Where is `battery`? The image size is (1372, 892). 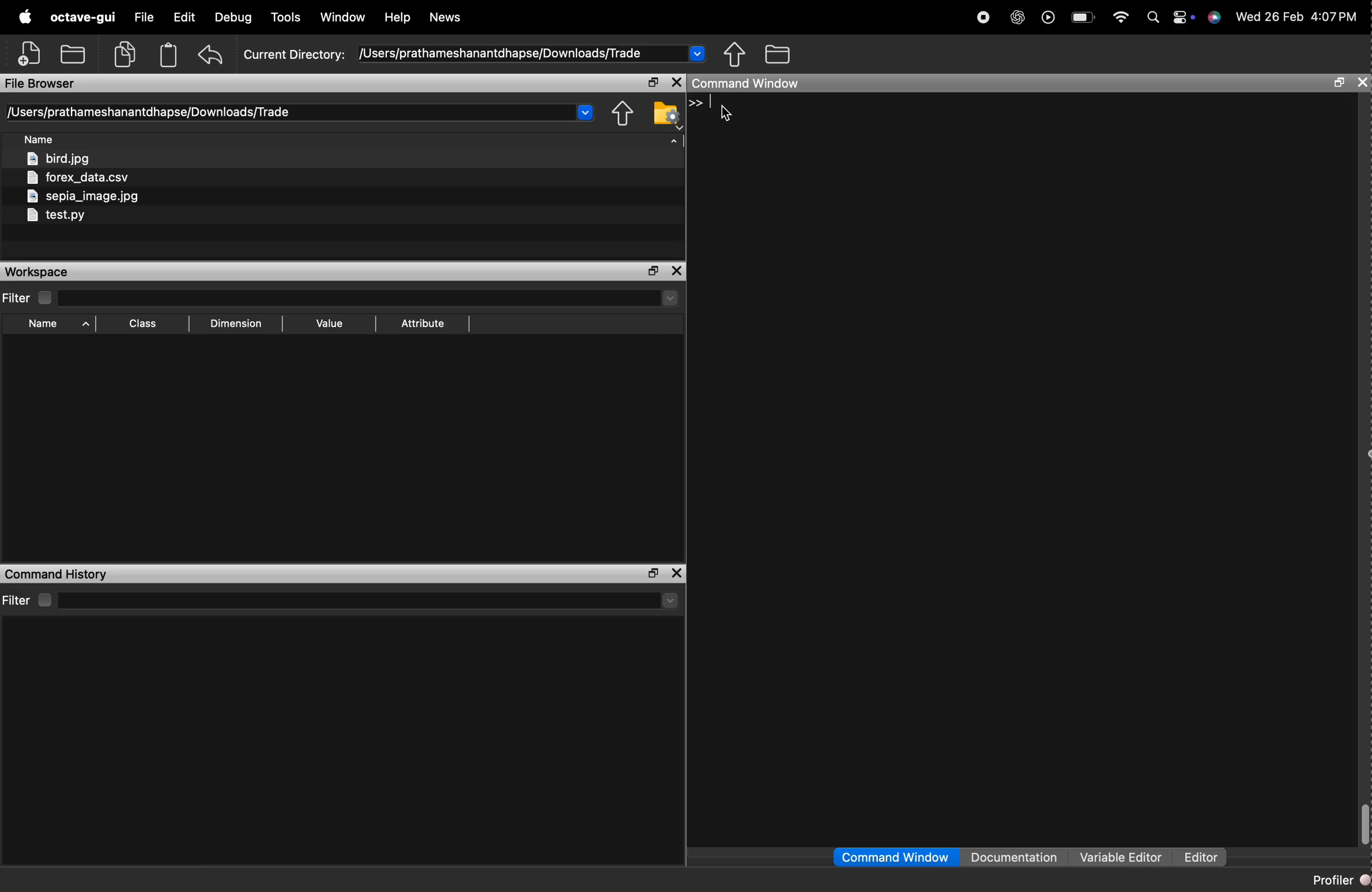 battery is located at coordinates (1084, 17).